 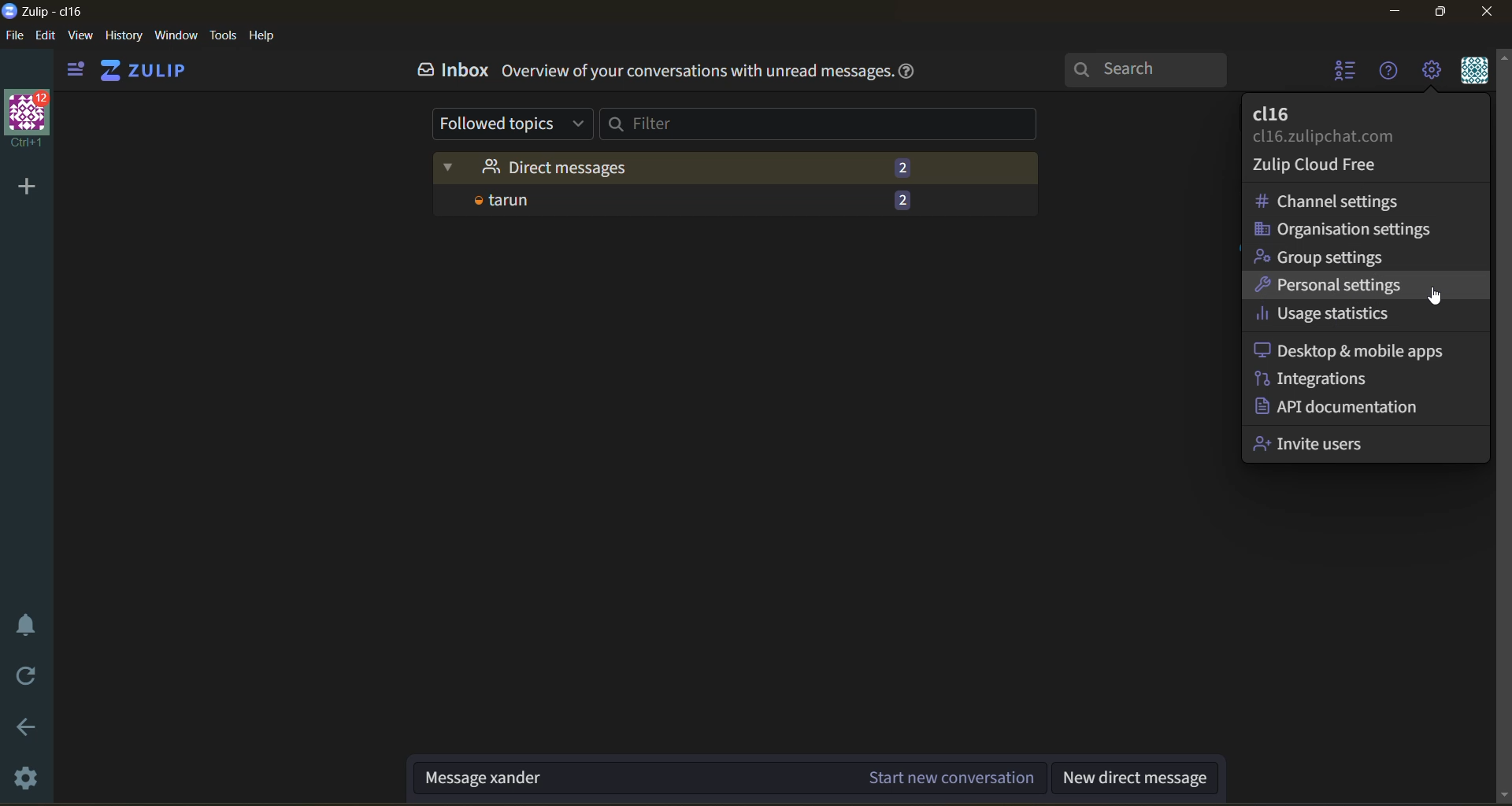 I want to click on edit, so click(x=46, y=35).